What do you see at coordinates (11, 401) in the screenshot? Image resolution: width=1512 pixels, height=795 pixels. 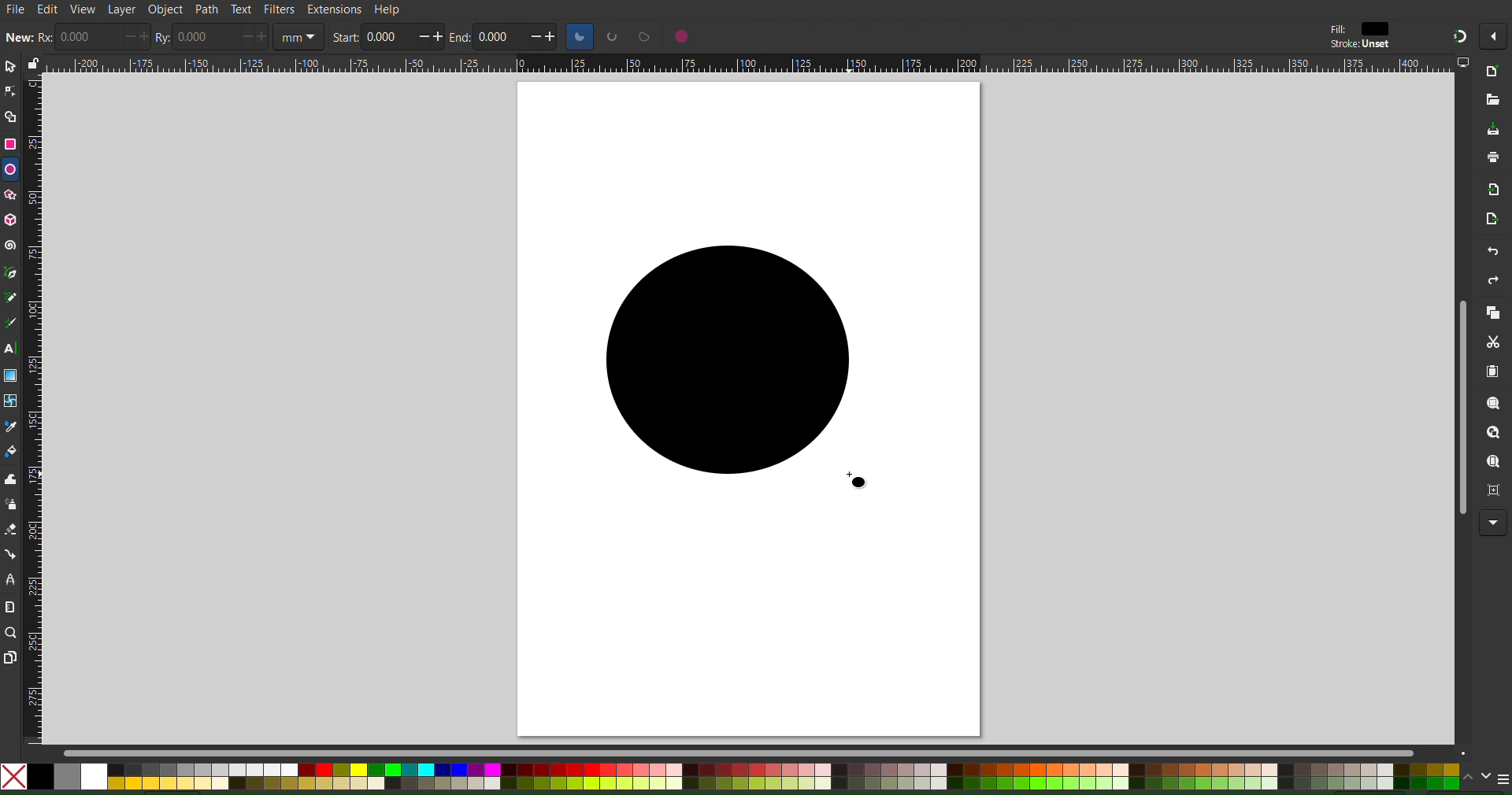 I see `Mesh Tool` at bounding box center [11, 401].